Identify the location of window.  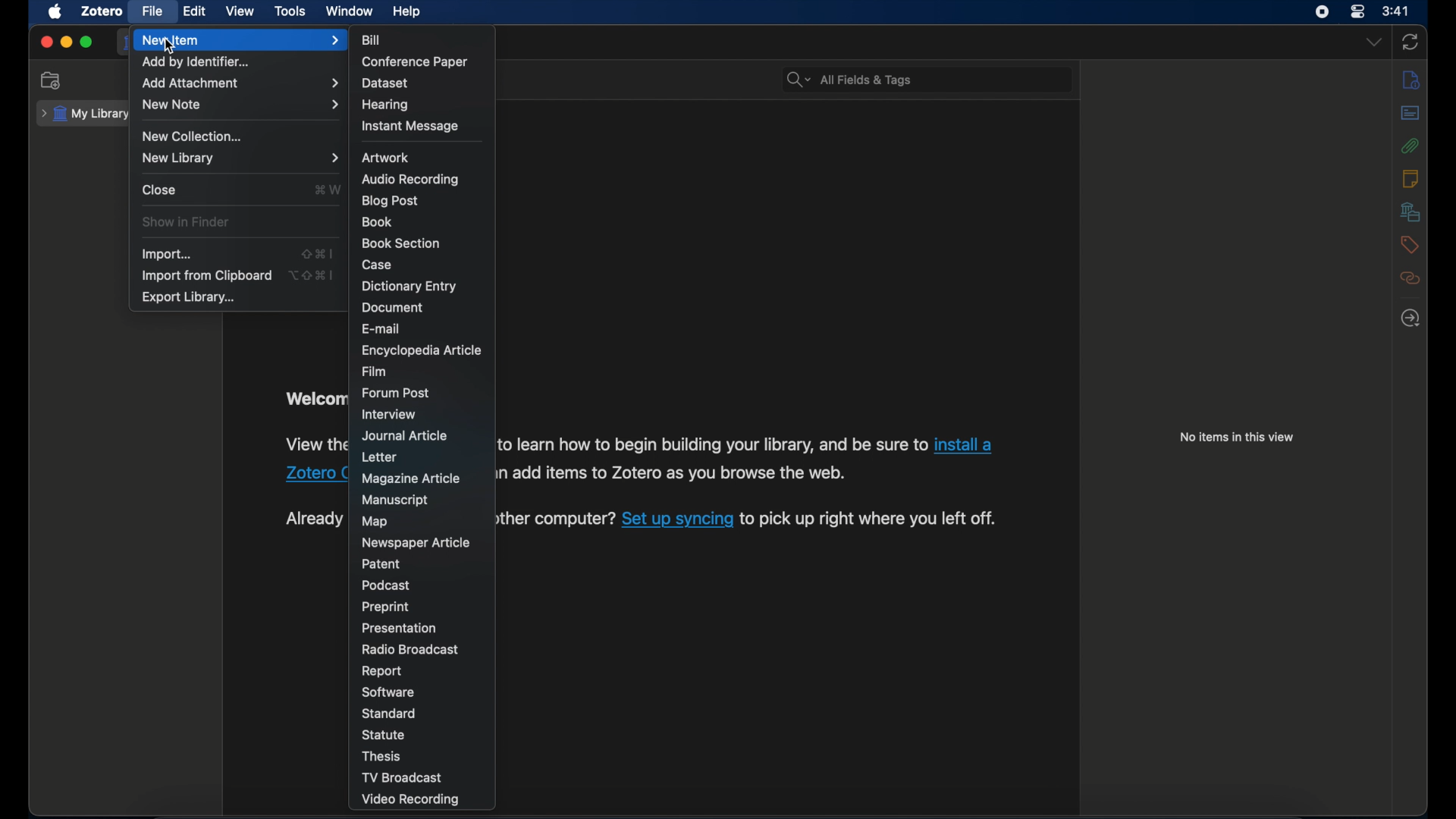
(351, 12).